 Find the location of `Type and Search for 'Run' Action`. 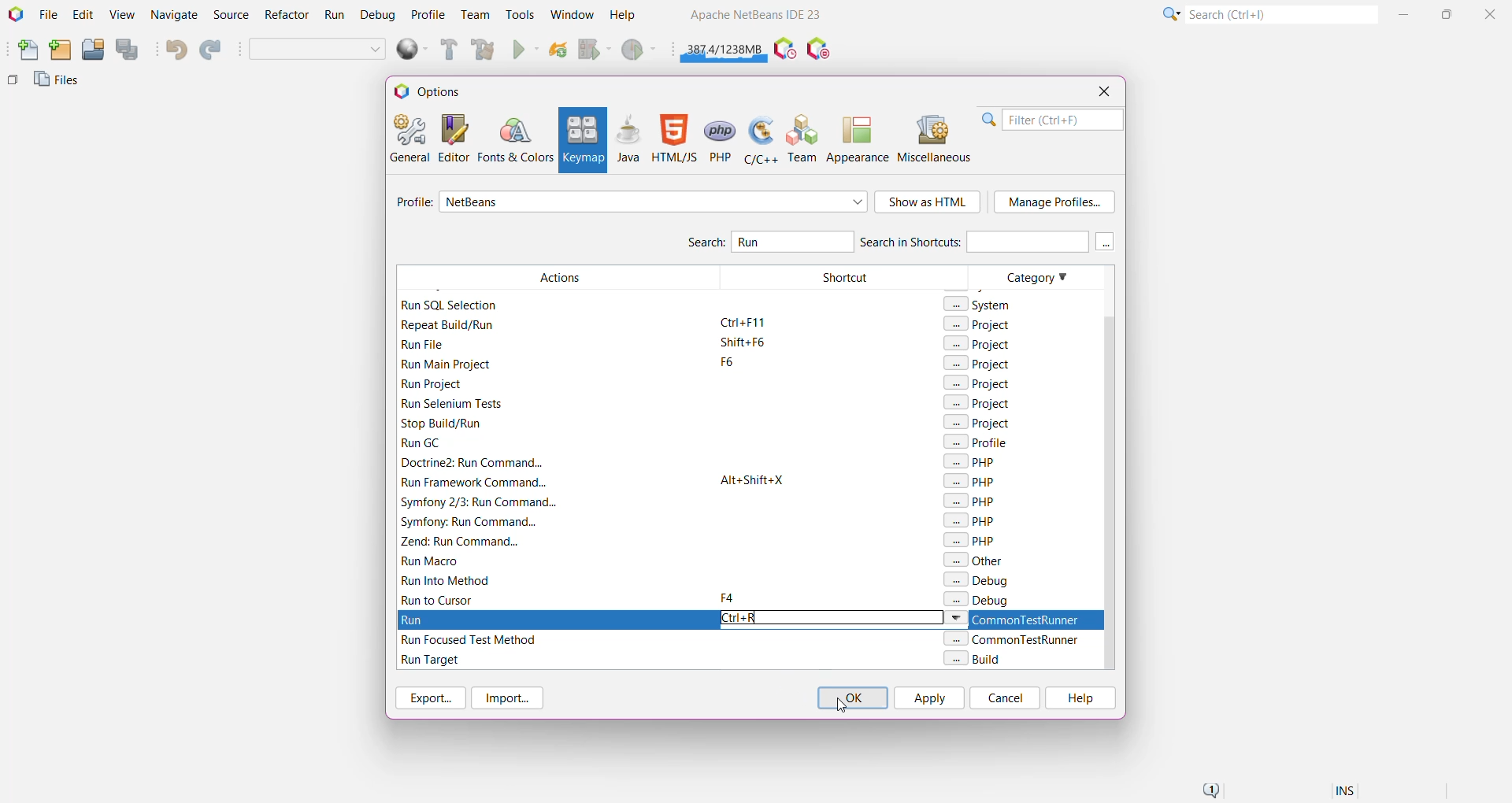

Type and Search for 'Run' Action is located at coordinates (793, 241).